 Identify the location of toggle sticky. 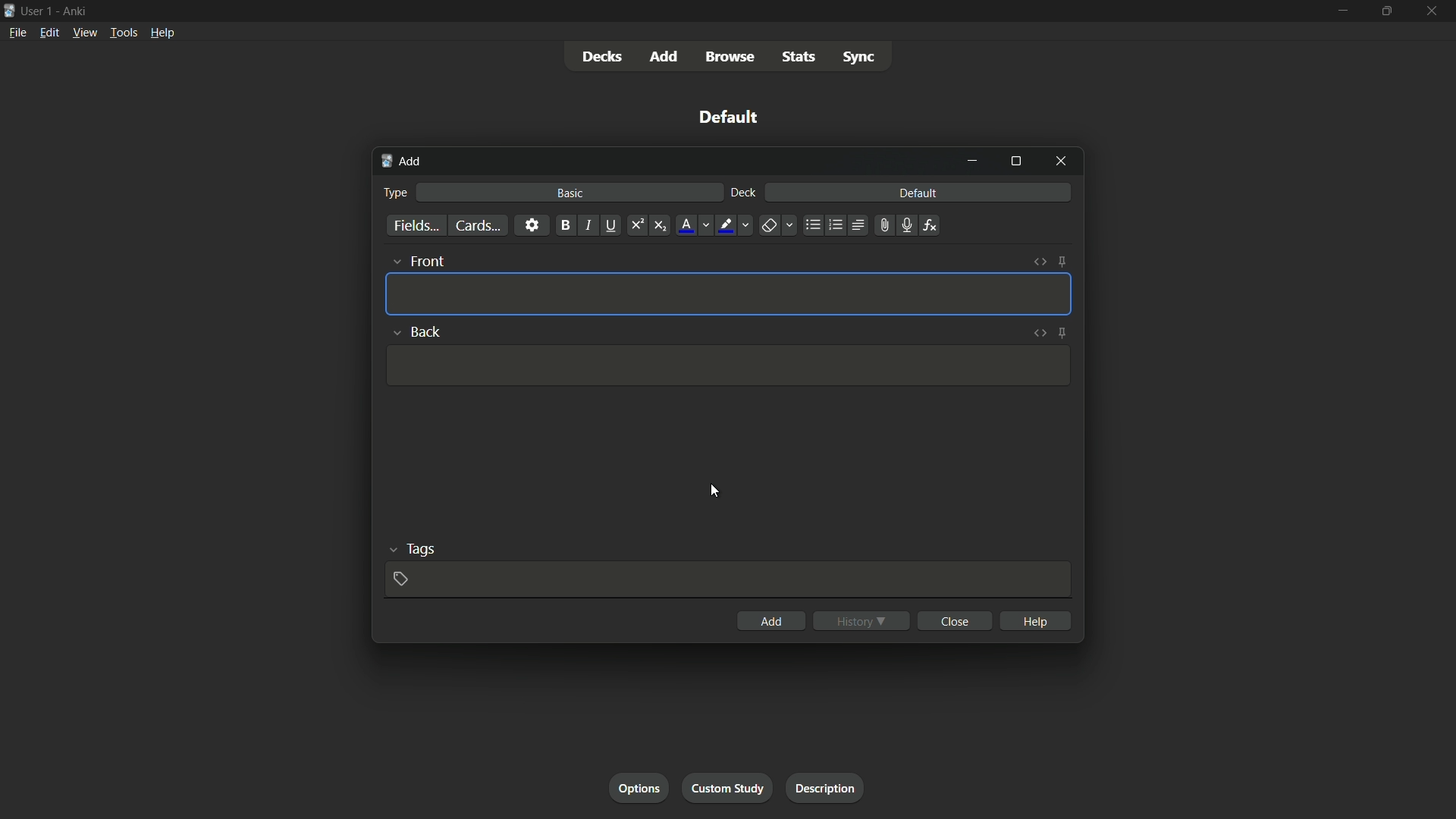
(1063, 262).